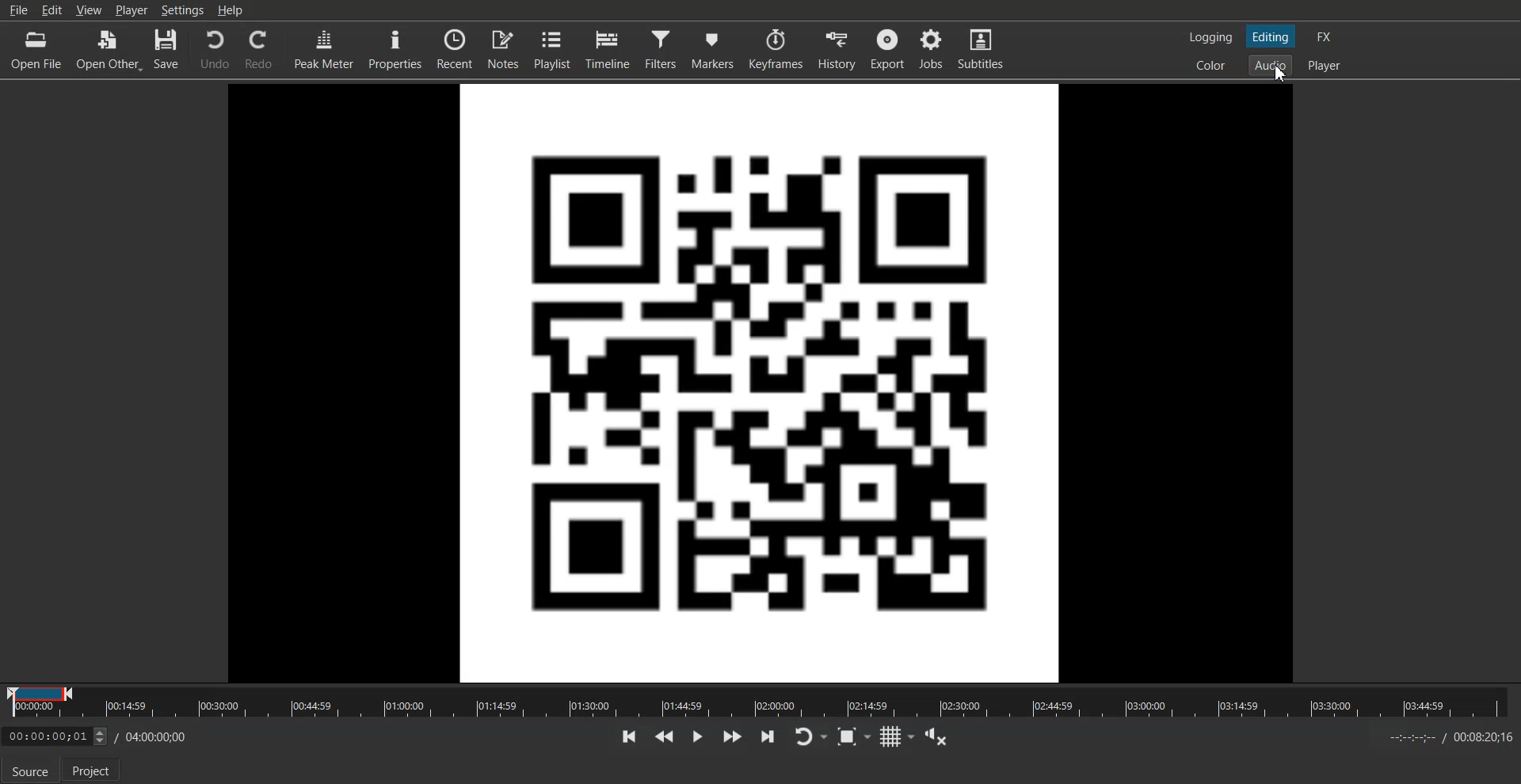 This screenshot has width=1521, height=784. Describe the element at coordinates (888, 49) in the screenshot. I see `Export` at that location.